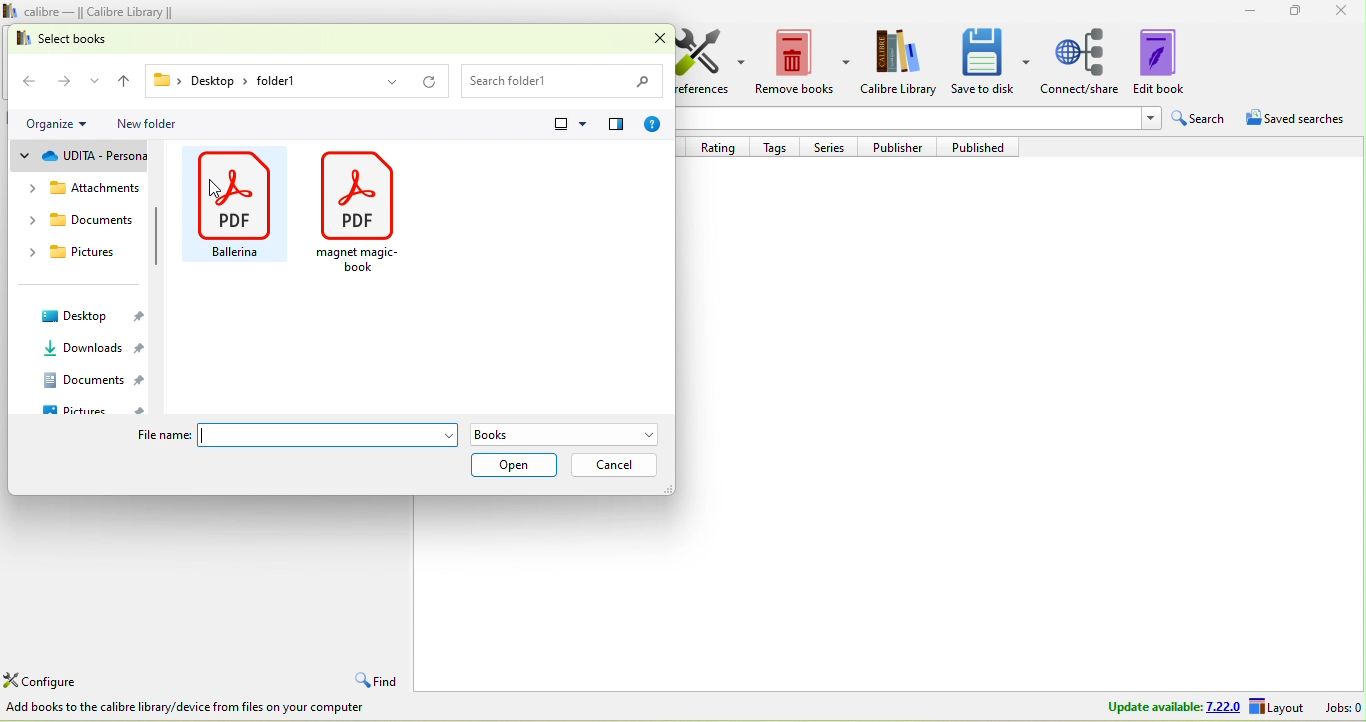  What do you see at coordinates (1149, 119) in the screenshot?
I see `Drop-down ` at bounding box center [1149, 119].